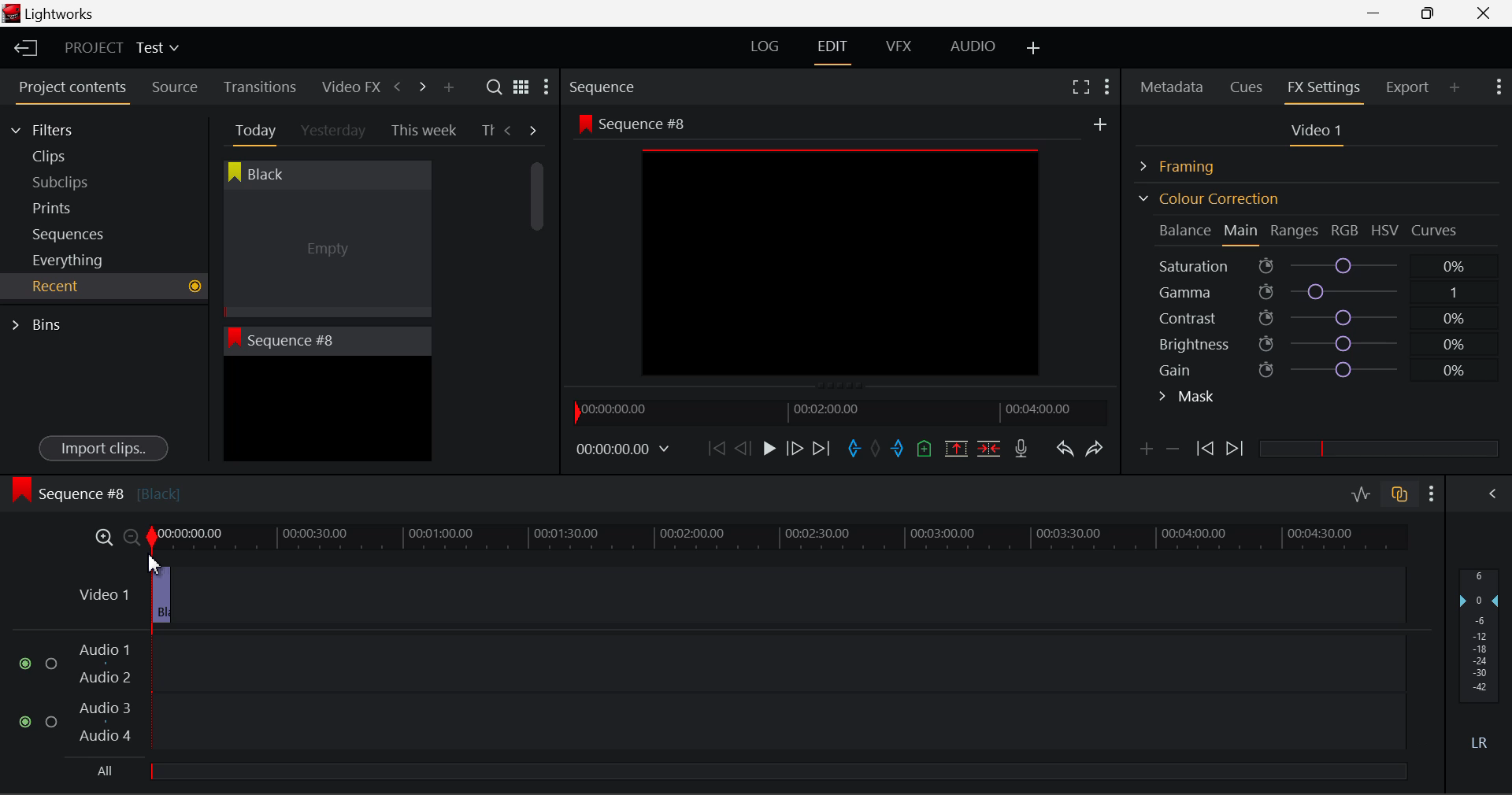 This screenshot has width=1512, height=795. What do you see at coordinates (122, 49) in the screenshot?
I see `Project Title` at bounding box center [122, 49].